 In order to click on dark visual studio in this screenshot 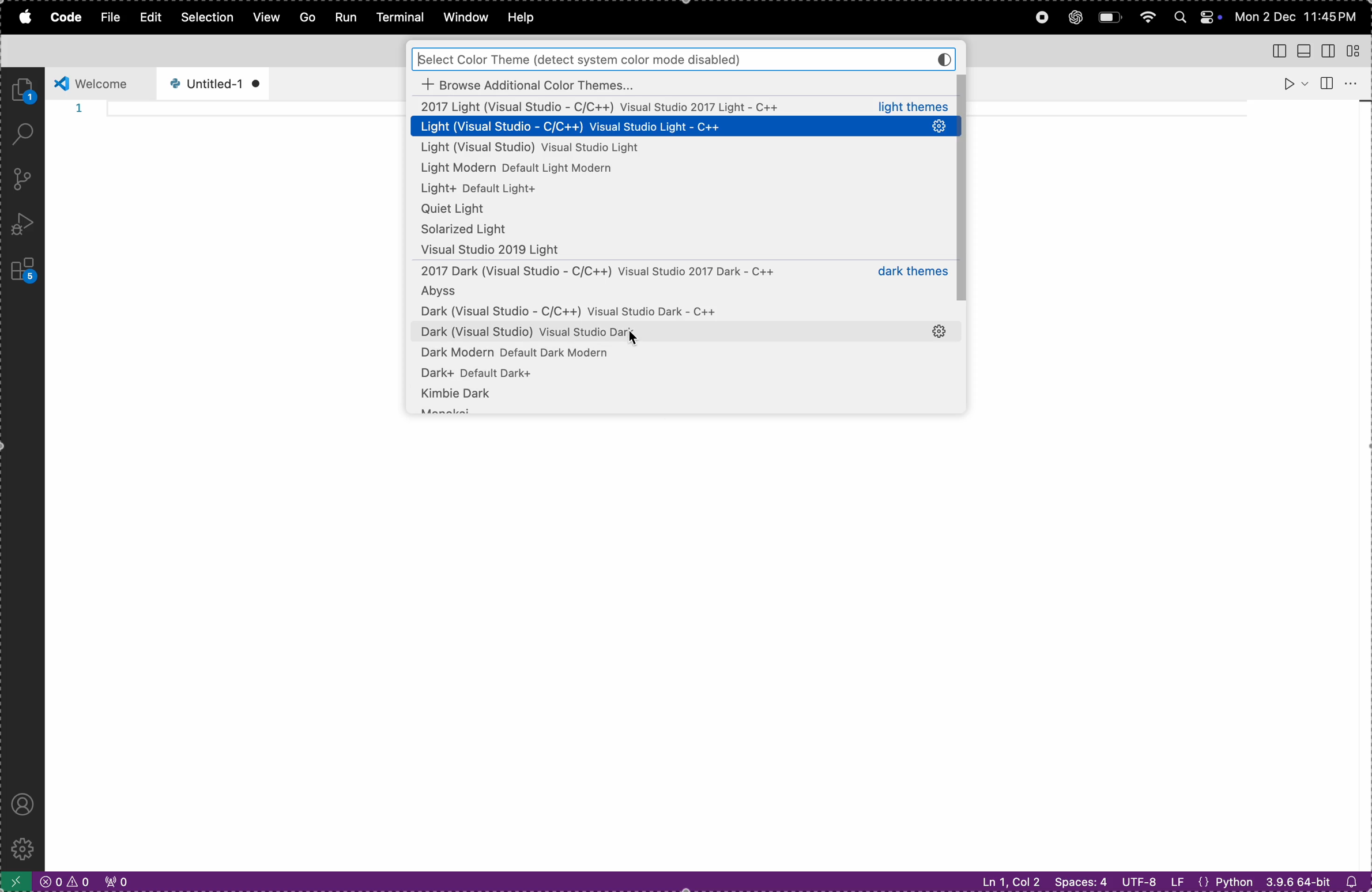, I will do `click(668, 332)`.